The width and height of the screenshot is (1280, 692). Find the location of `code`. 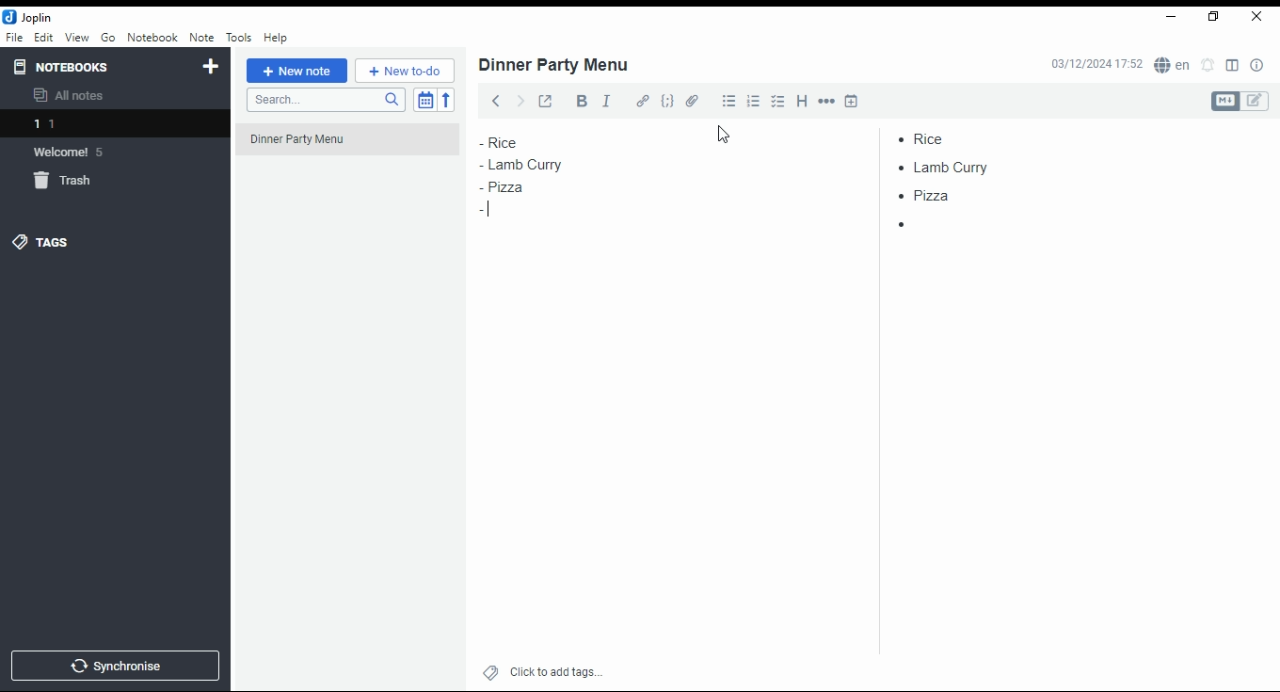

code is located at coordinates (668, 103).